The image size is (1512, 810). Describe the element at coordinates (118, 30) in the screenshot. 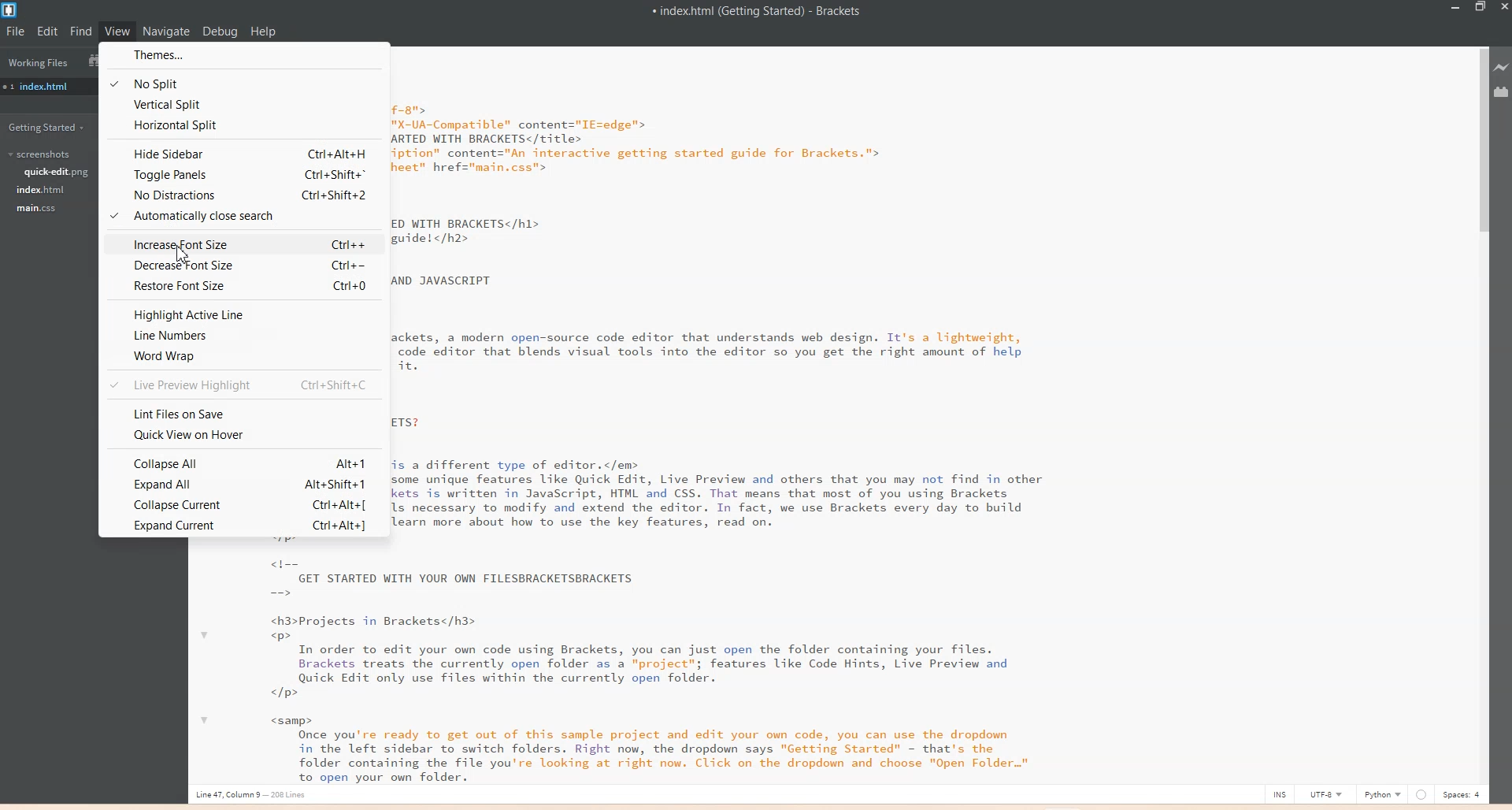

I see `View` at that location.